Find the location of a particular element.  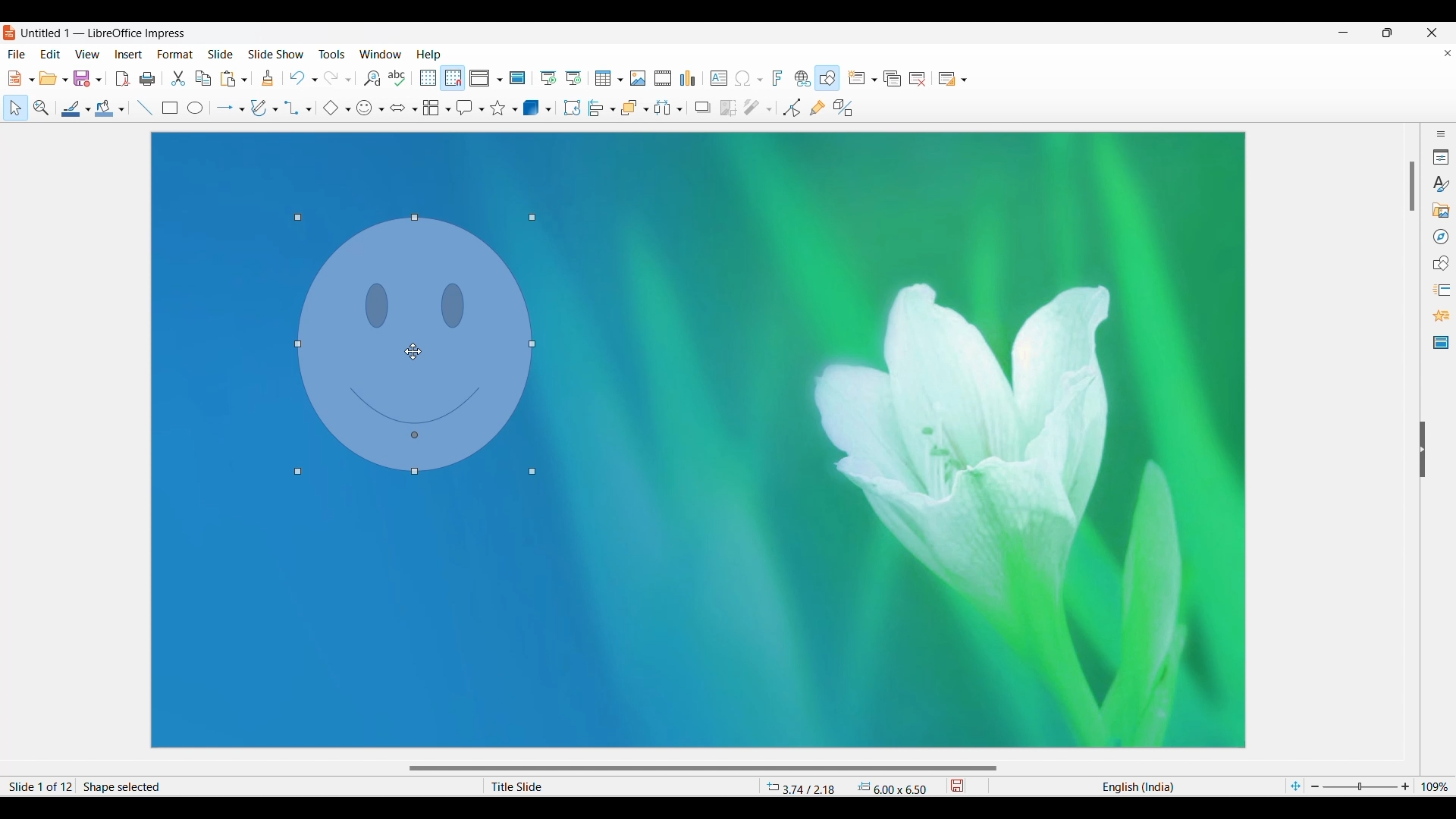

New slide is located at coordinates (856, 77).